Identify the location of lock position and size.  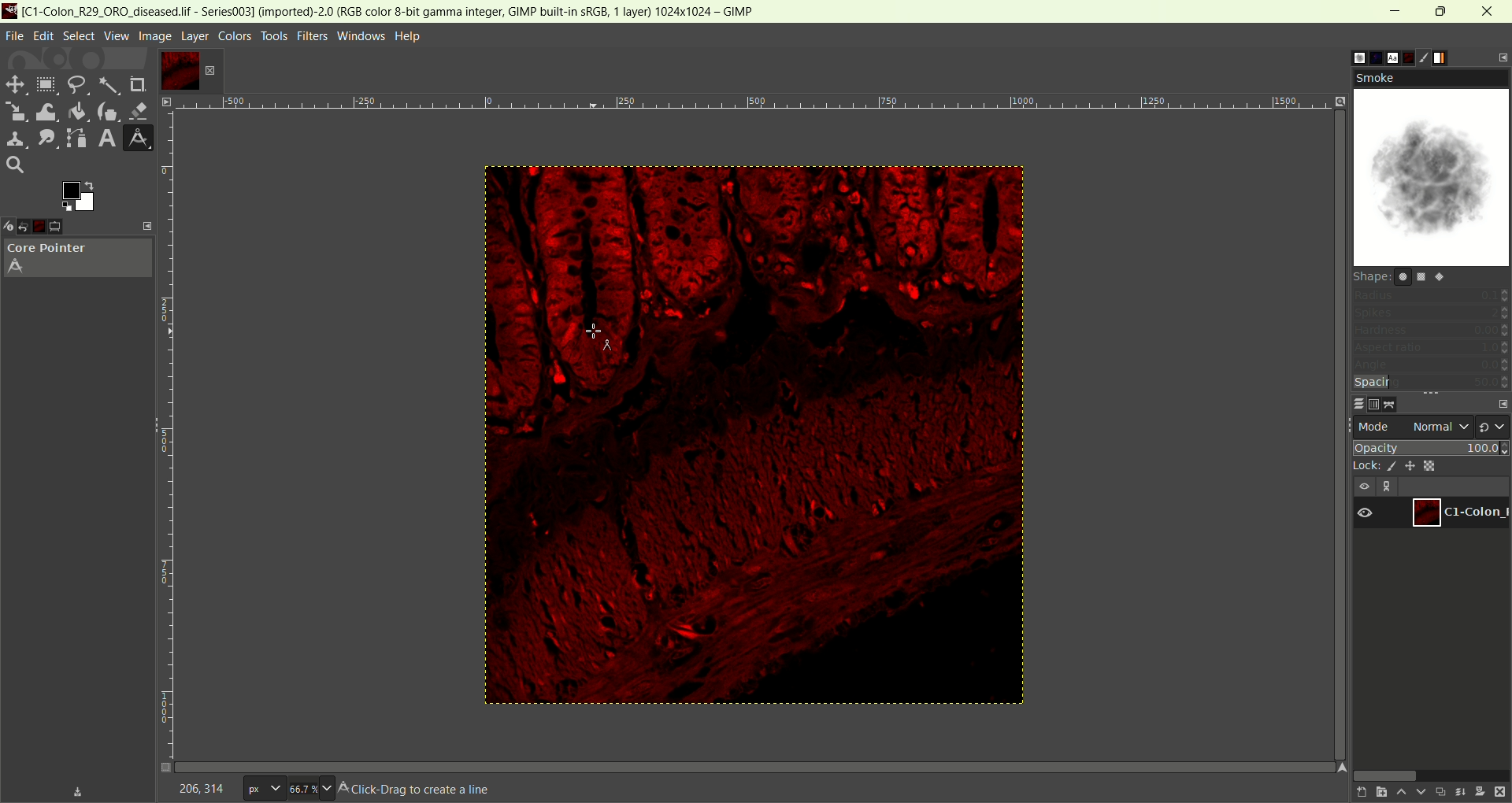
(1409, 465).